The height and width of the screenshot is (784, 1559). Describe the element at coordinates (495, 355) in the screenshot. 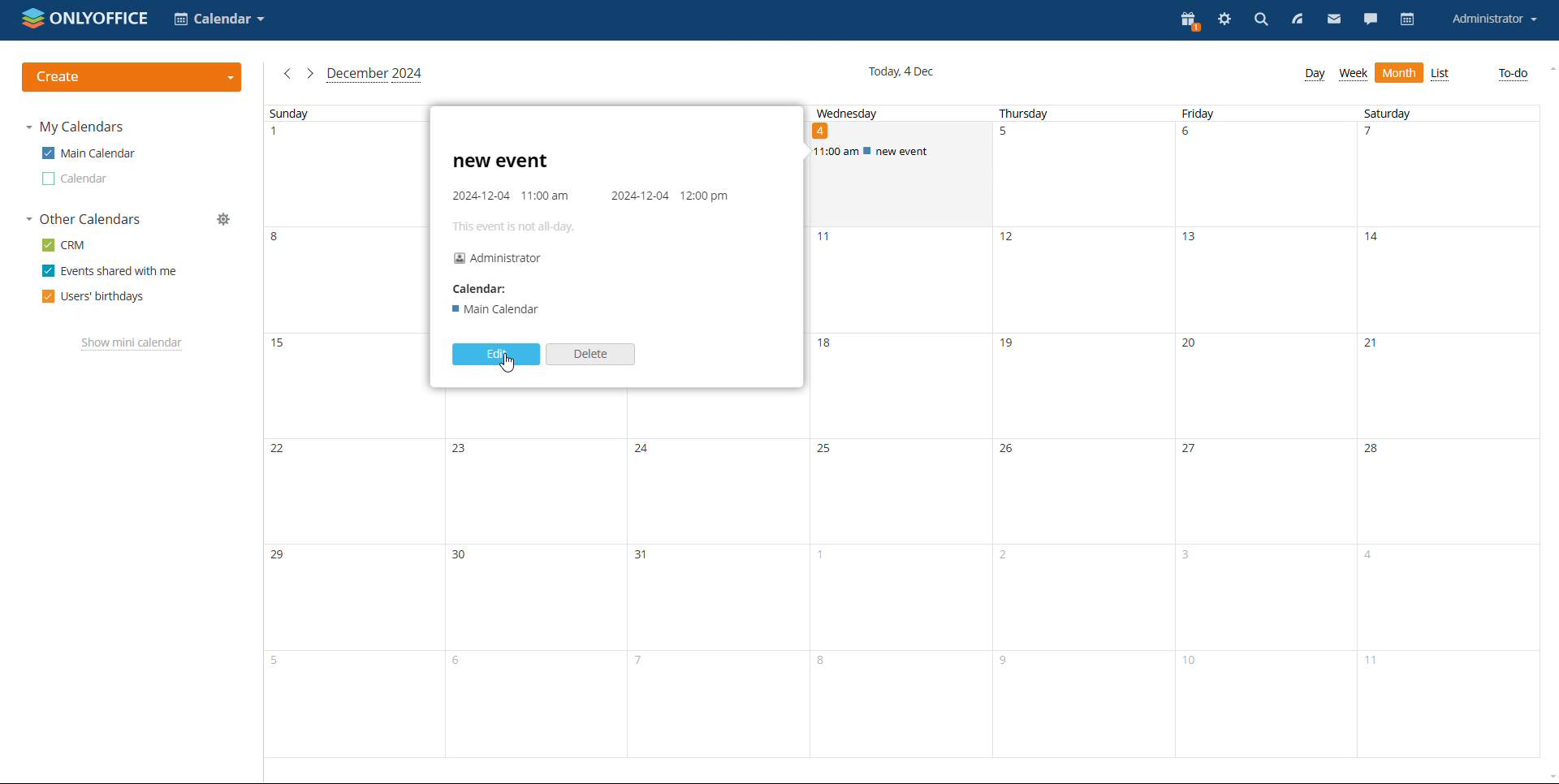

I see `edit` at that location.